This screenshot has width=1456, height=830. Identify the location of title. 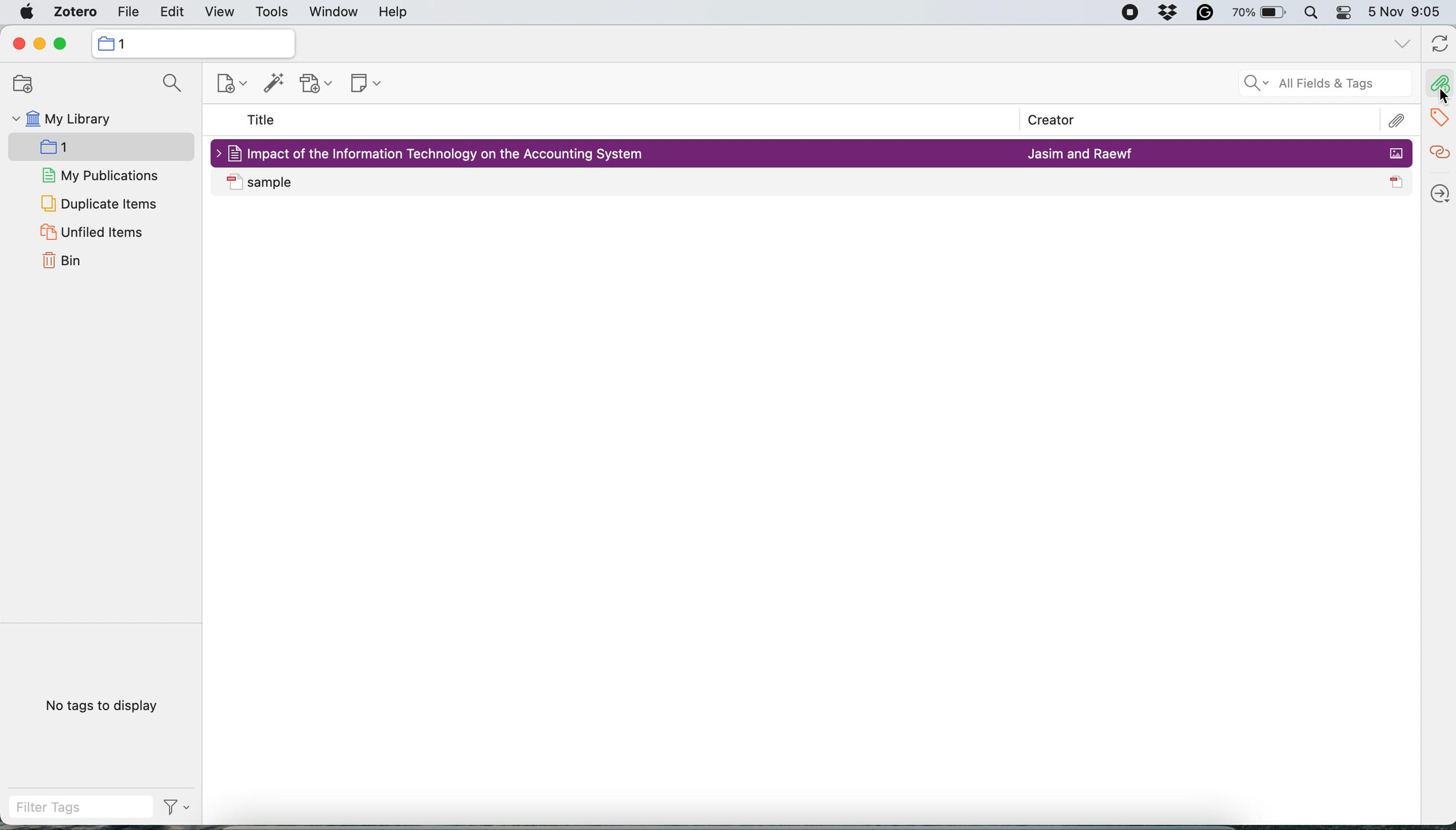
(262, 121).